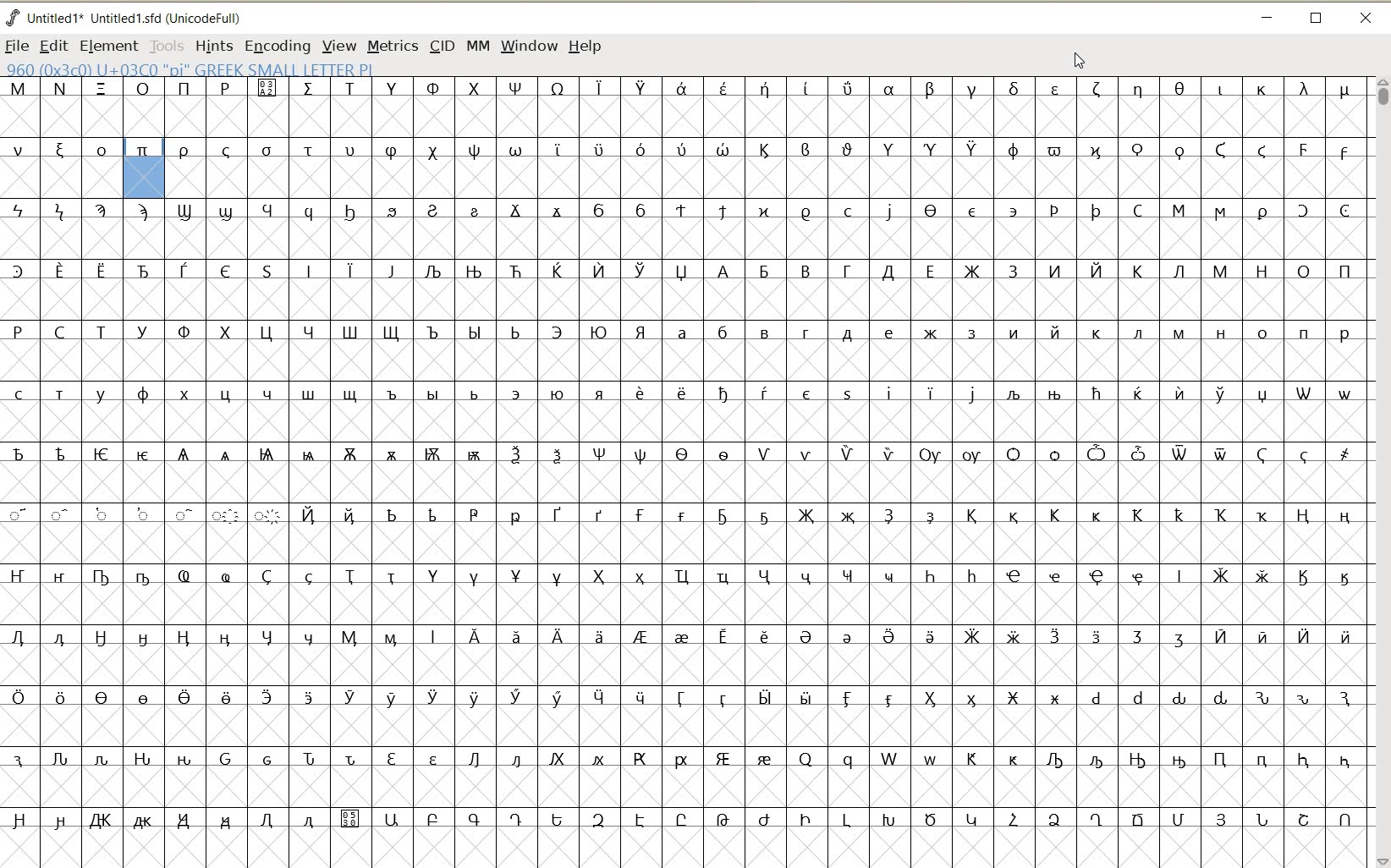 This screenshot has height=868, width=1391. I want to click on FONT NAME, so click(127, 18).